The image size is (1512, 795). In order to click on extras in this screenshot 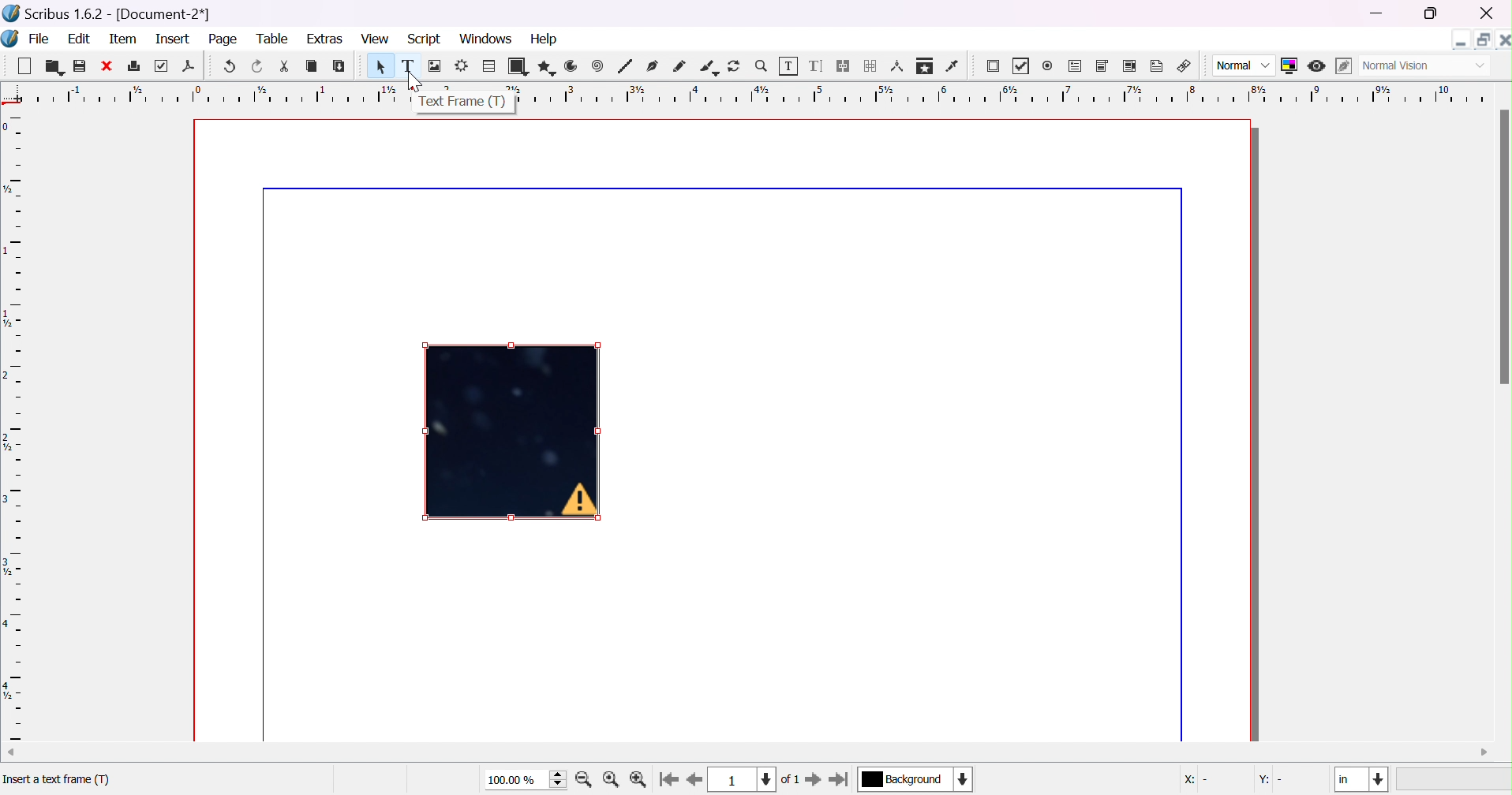, I will do `click(325, 39)`.